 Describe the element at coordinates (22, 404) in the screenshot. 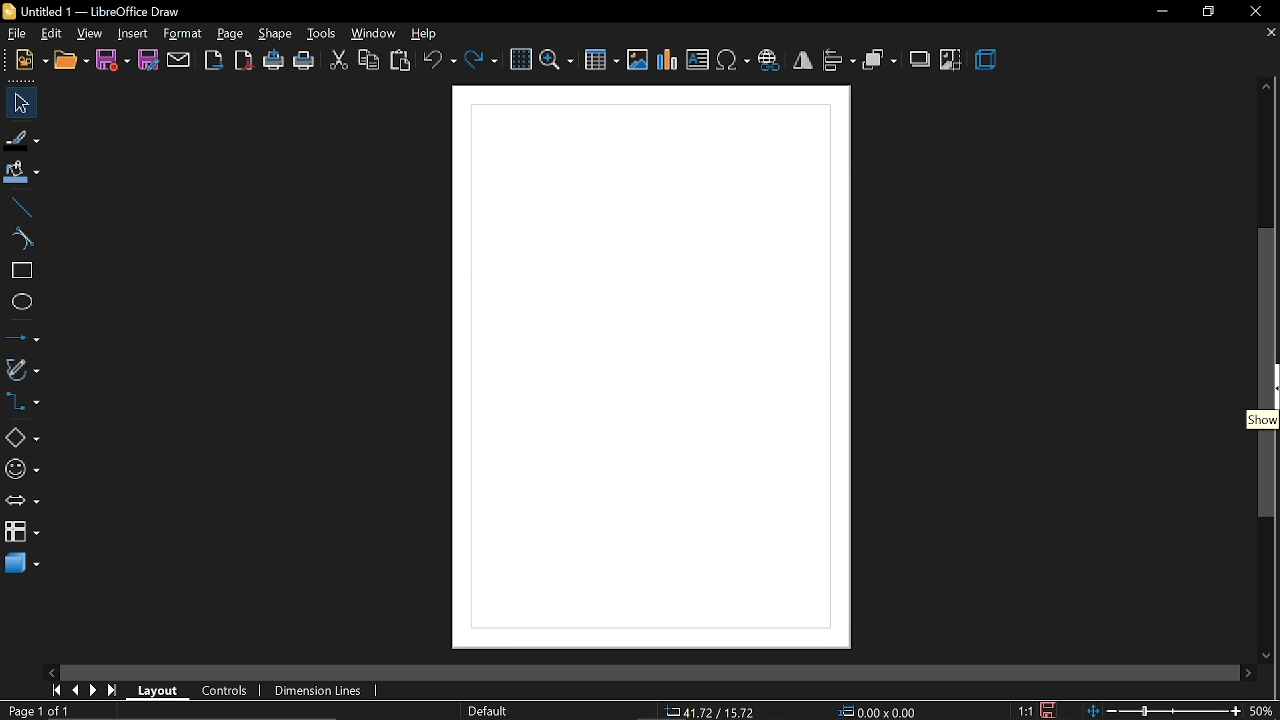

I see `connectors` at that location.